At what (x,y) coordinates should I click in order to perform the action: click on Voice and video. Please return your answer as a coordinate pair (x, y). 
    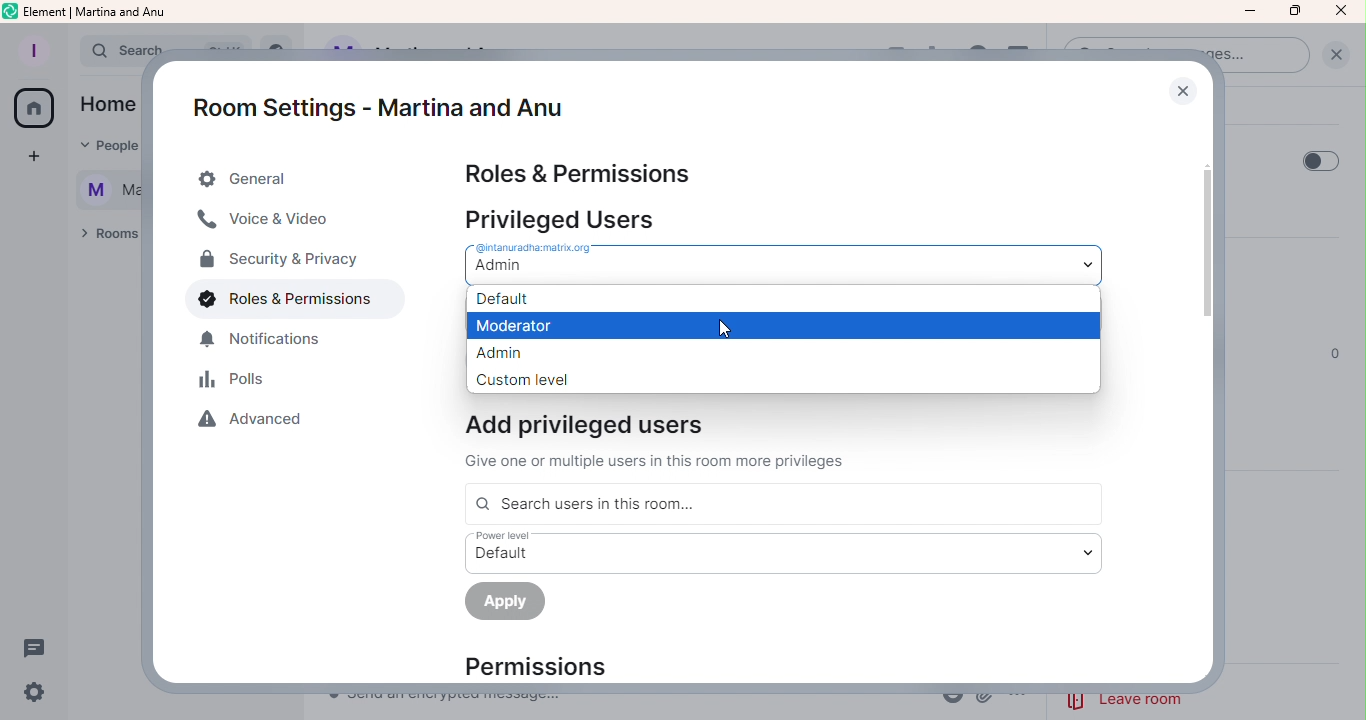
    Looking at the image, I should click on (268, 222).